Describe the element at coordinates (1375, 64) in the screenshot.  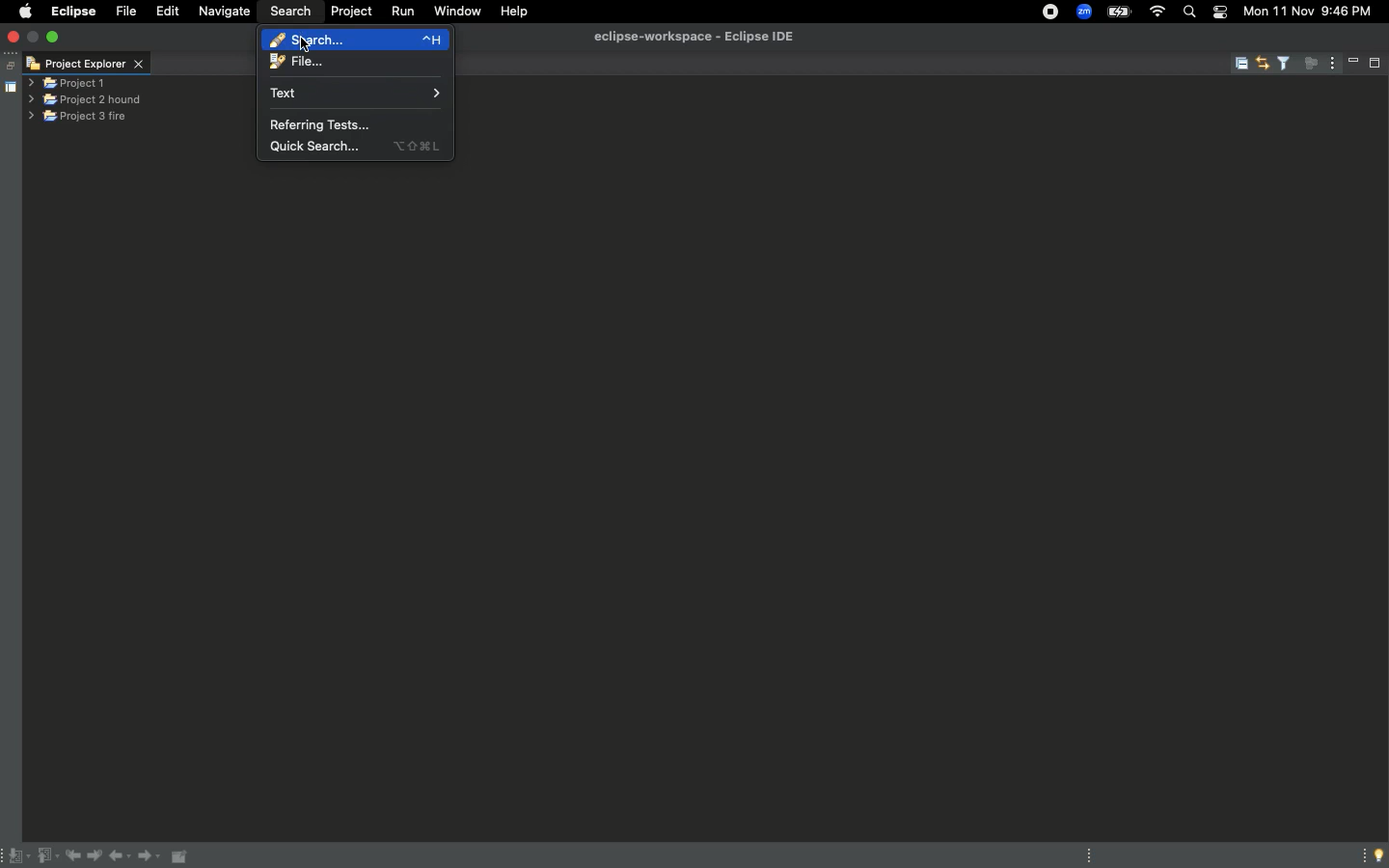
I see `Maximize` at that location.